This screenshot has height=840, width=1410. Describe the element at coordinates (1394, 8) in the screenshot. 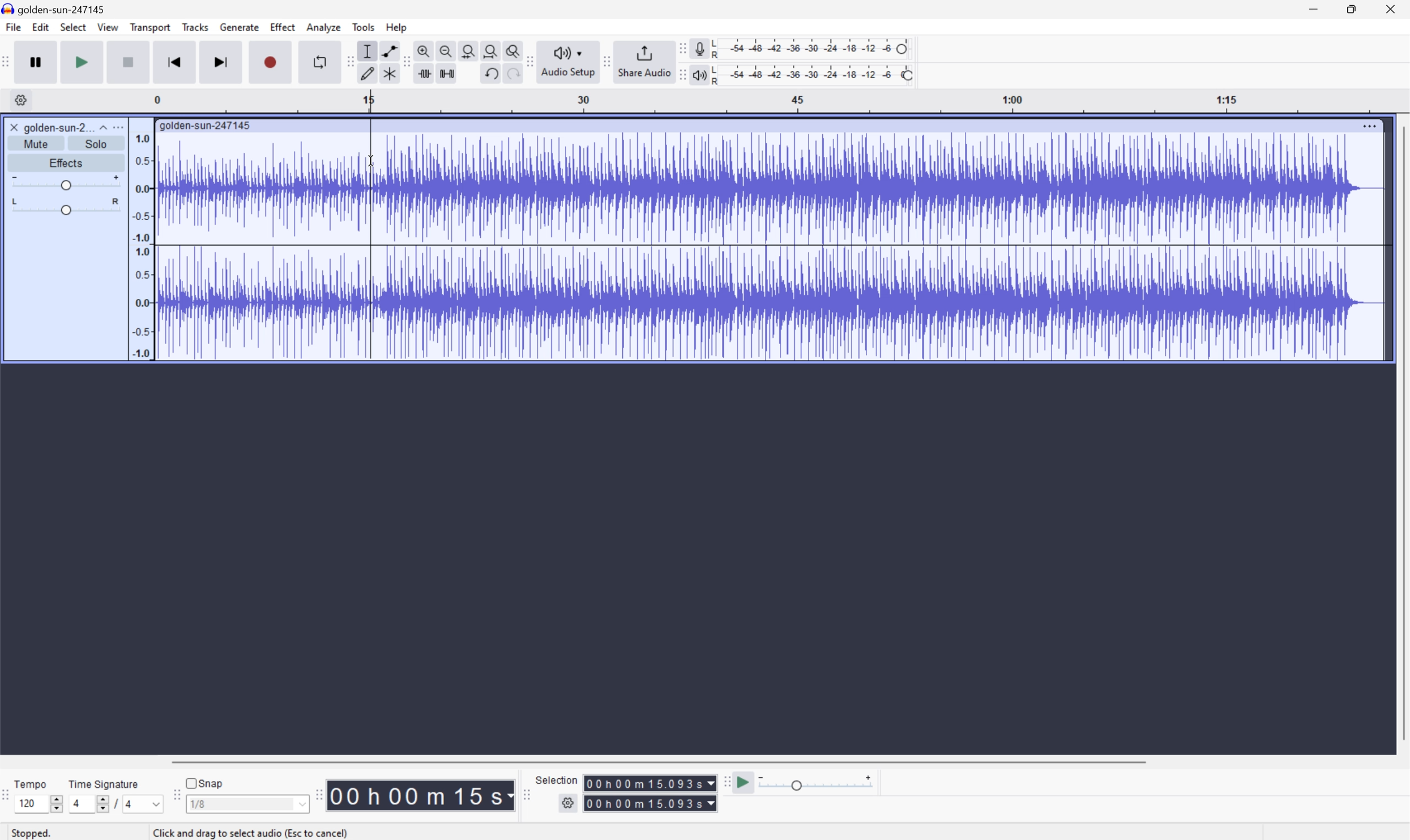

I see `Close` at that location.